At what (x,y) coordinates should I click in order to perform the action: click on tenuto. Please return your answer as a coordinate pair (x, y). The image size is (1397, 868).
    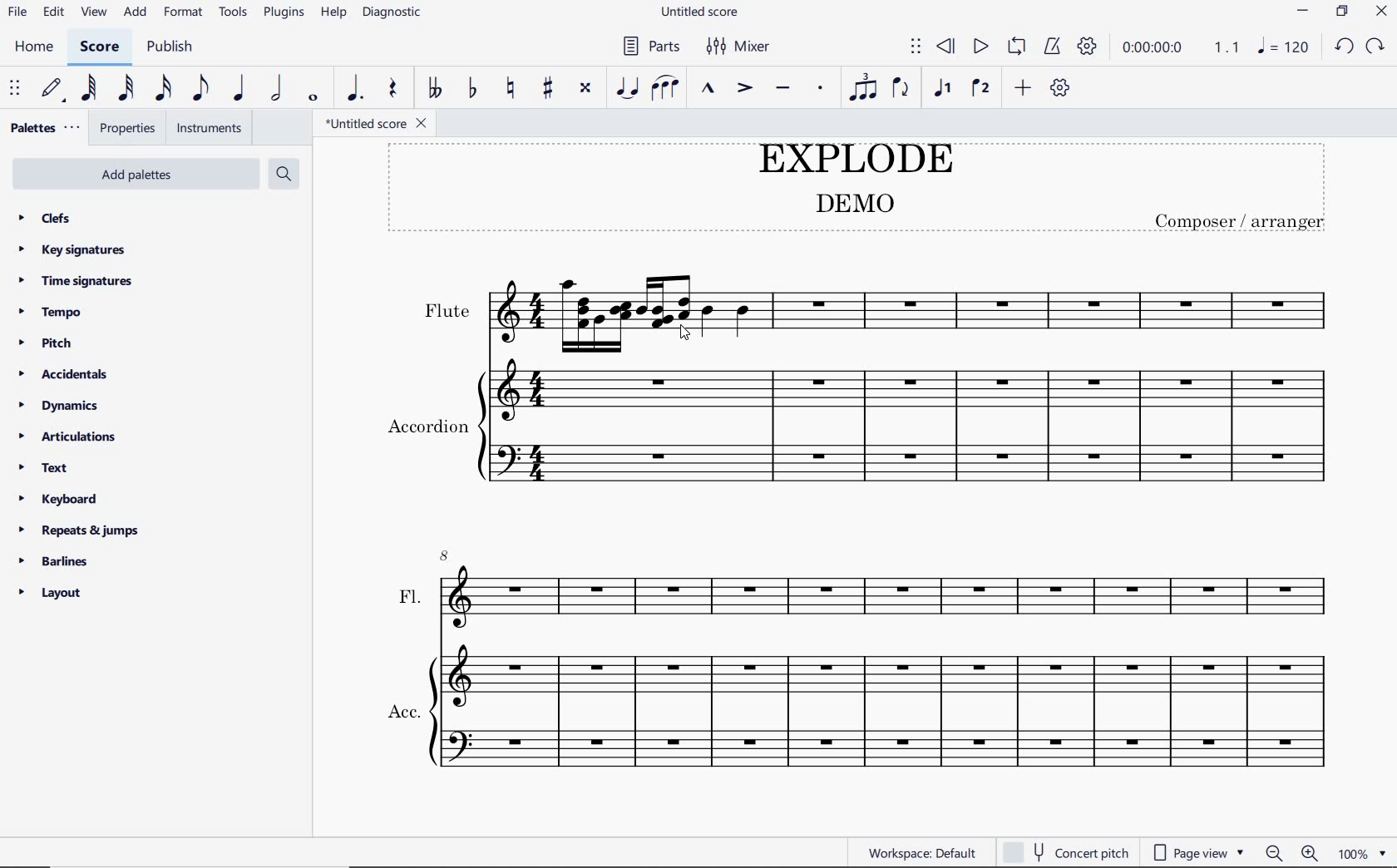
    Looking at the image, I should click on (784, 91).